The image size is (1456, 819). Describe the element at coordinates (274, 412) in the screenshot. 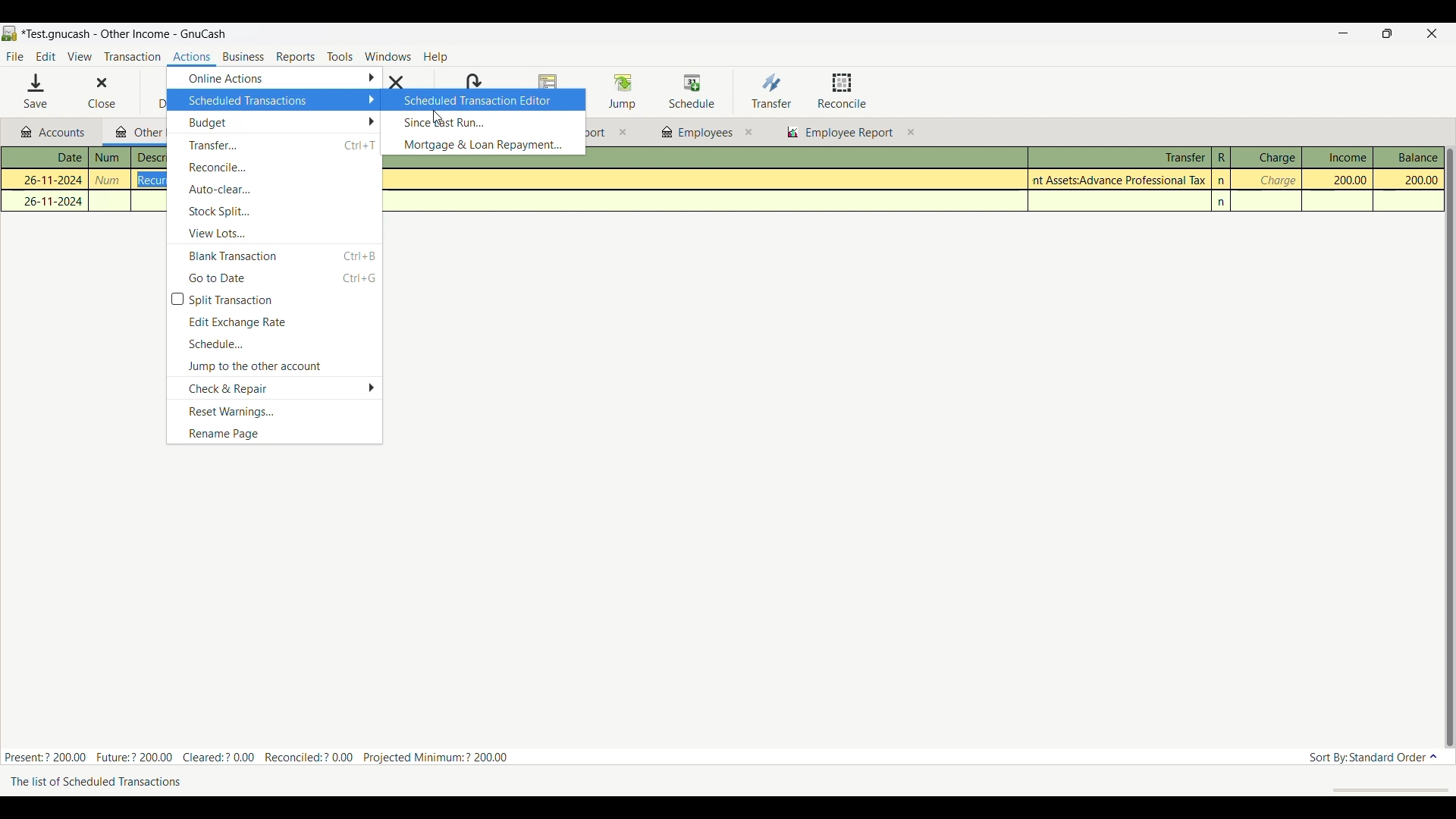

I see `Reset warnings` at that location.